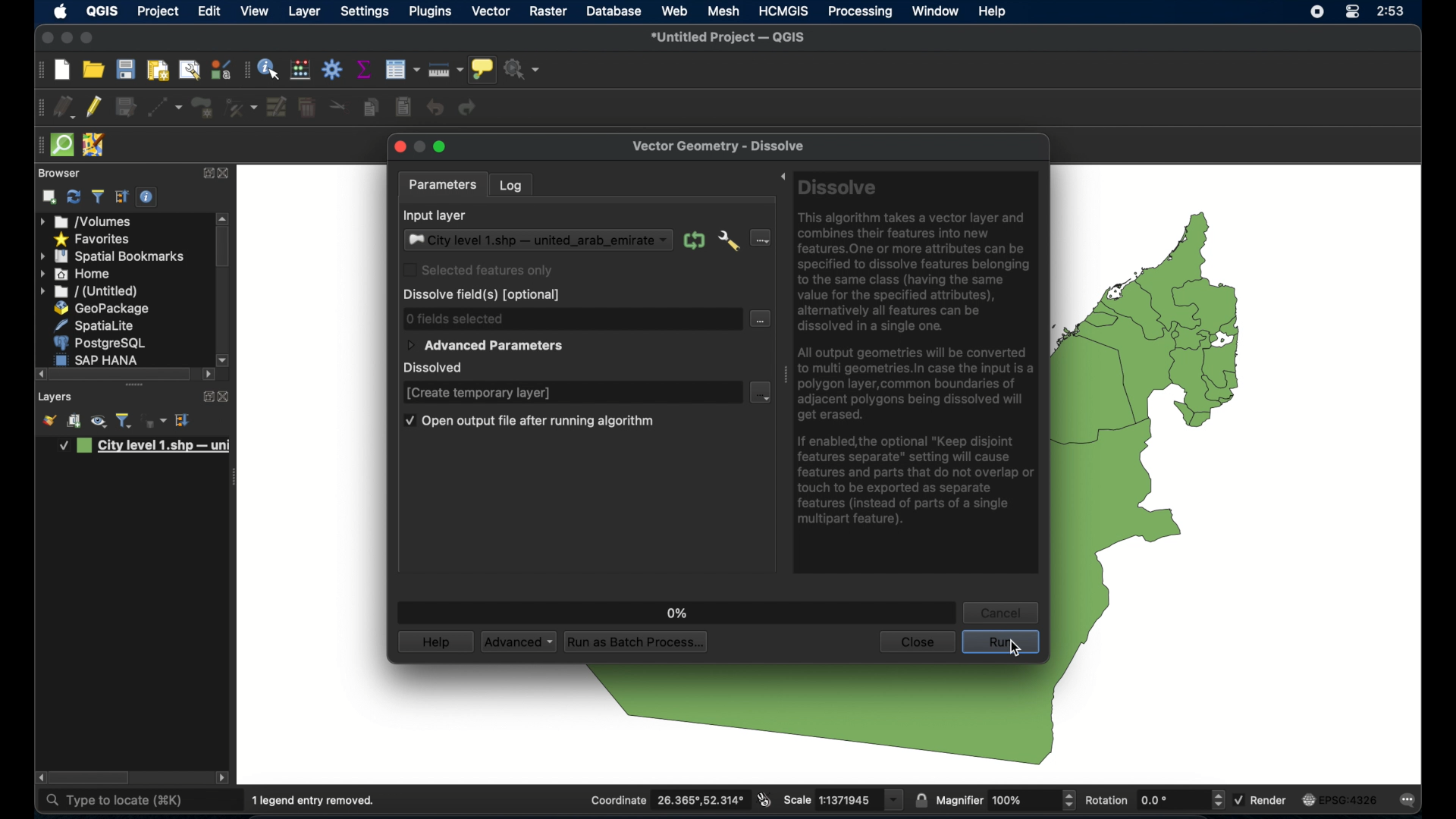  Describe the element at coordinates (300, 70) in the screenshot. I see `open field calculator` at that location.